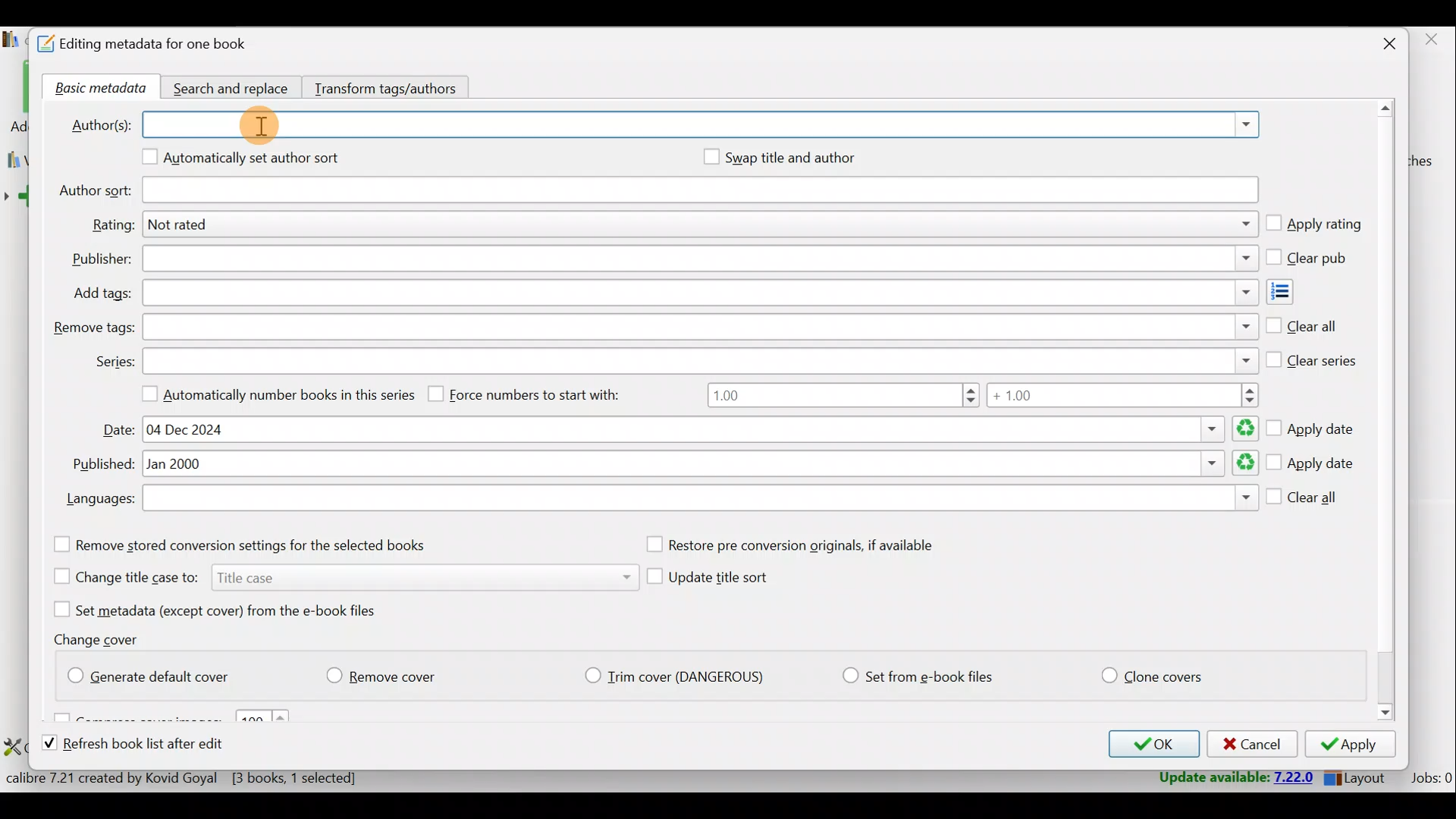 Image resolution: width=1456 pixels, height=819 pixels. What do you see at coordinates (535, 394) in the screenshot?
I see `Force numbers to start with` at bounding box center [535, 394].